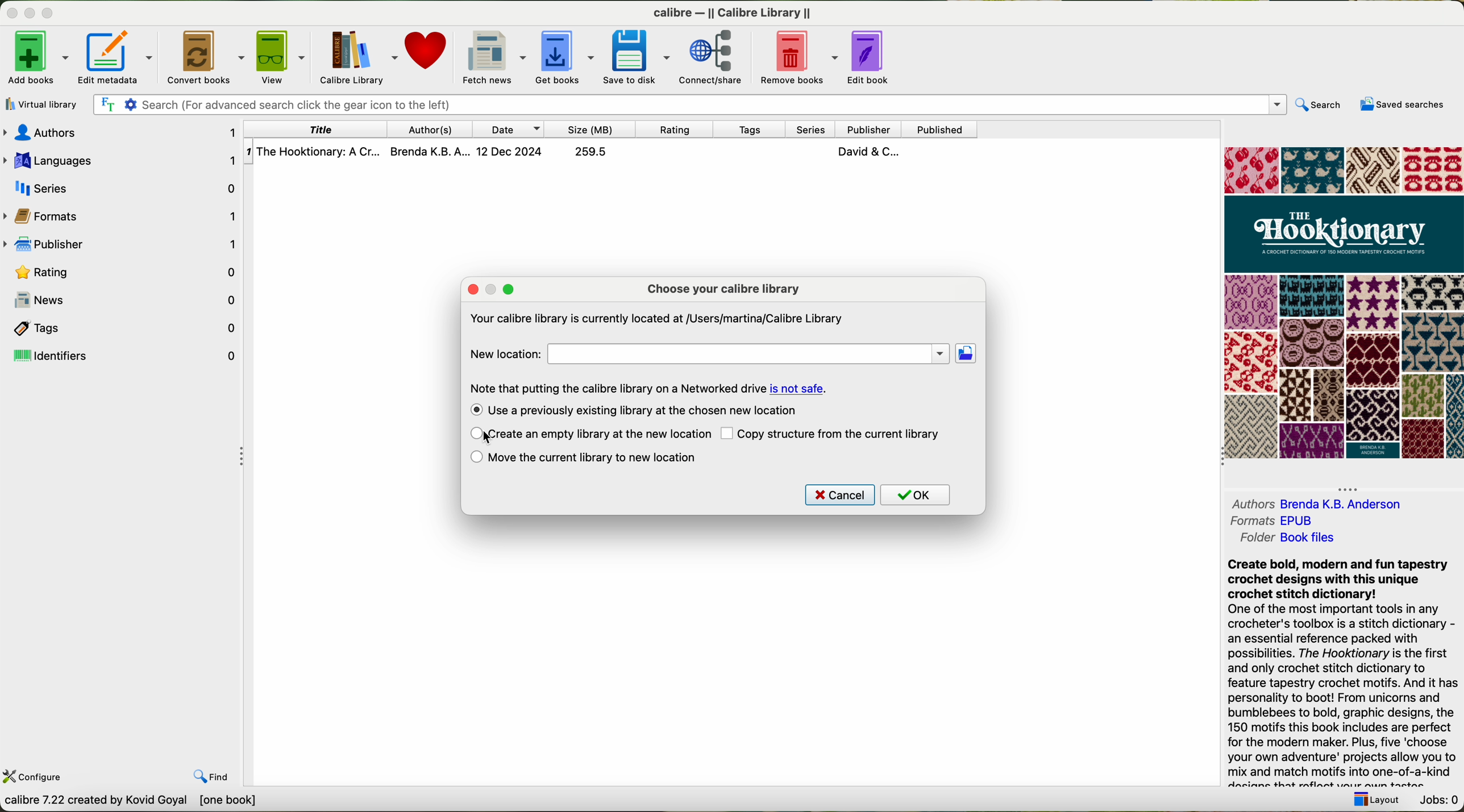 The width and height of the screenshot is (1464, 812). What do you see at coordinates (656, 318) in the screenshot?
I see `Your calibre library is currently located at /Users/martina/Calibre Library` at bounding box center [656, 318].